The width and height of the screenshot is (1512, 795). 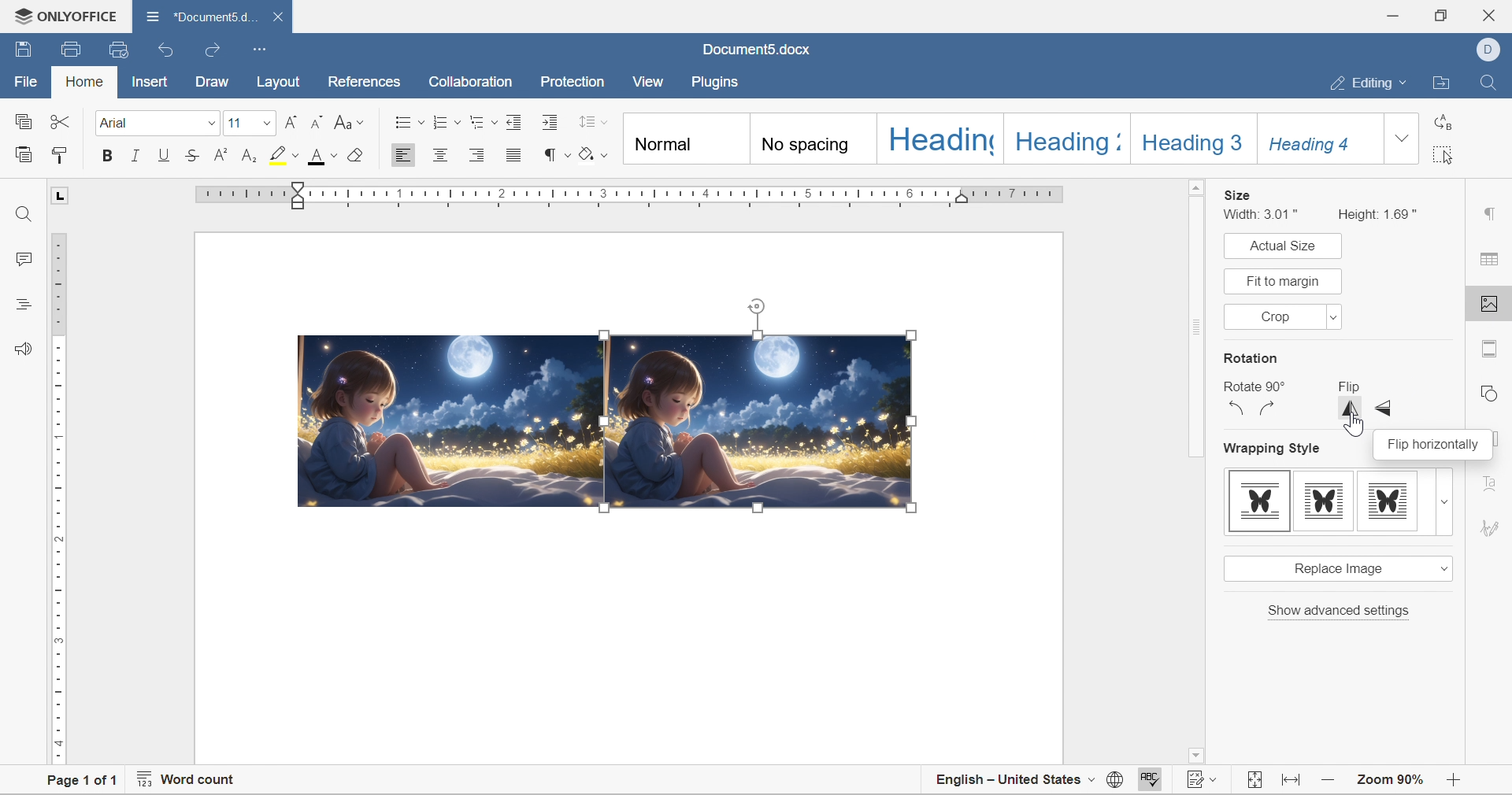 What do you see at coordinates (1492, 215) in the screenshot?
I see `paragraph settings` at bounding box center [1492, 215].